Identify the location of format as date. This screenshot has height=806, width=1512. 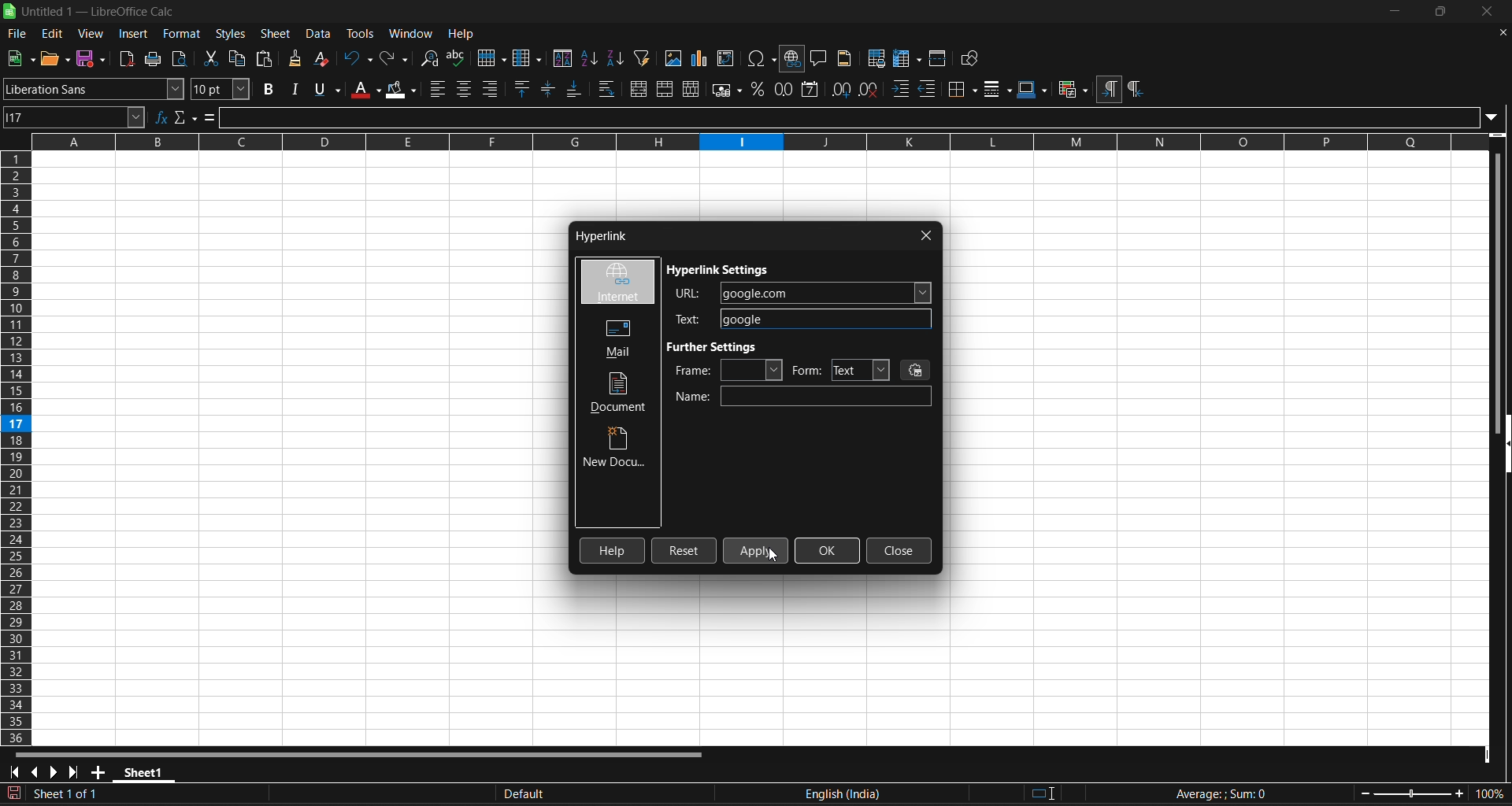
(812, 90).